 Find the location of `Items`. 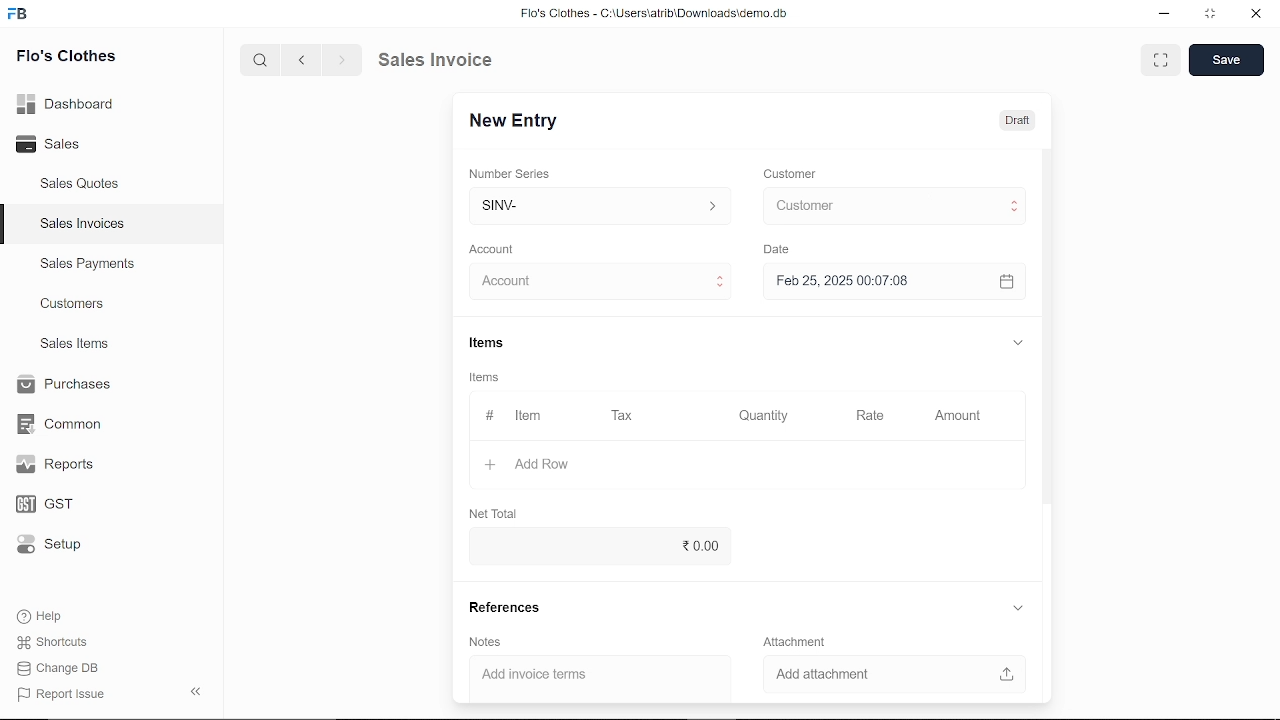

Items is located at coordinates (487, 376).